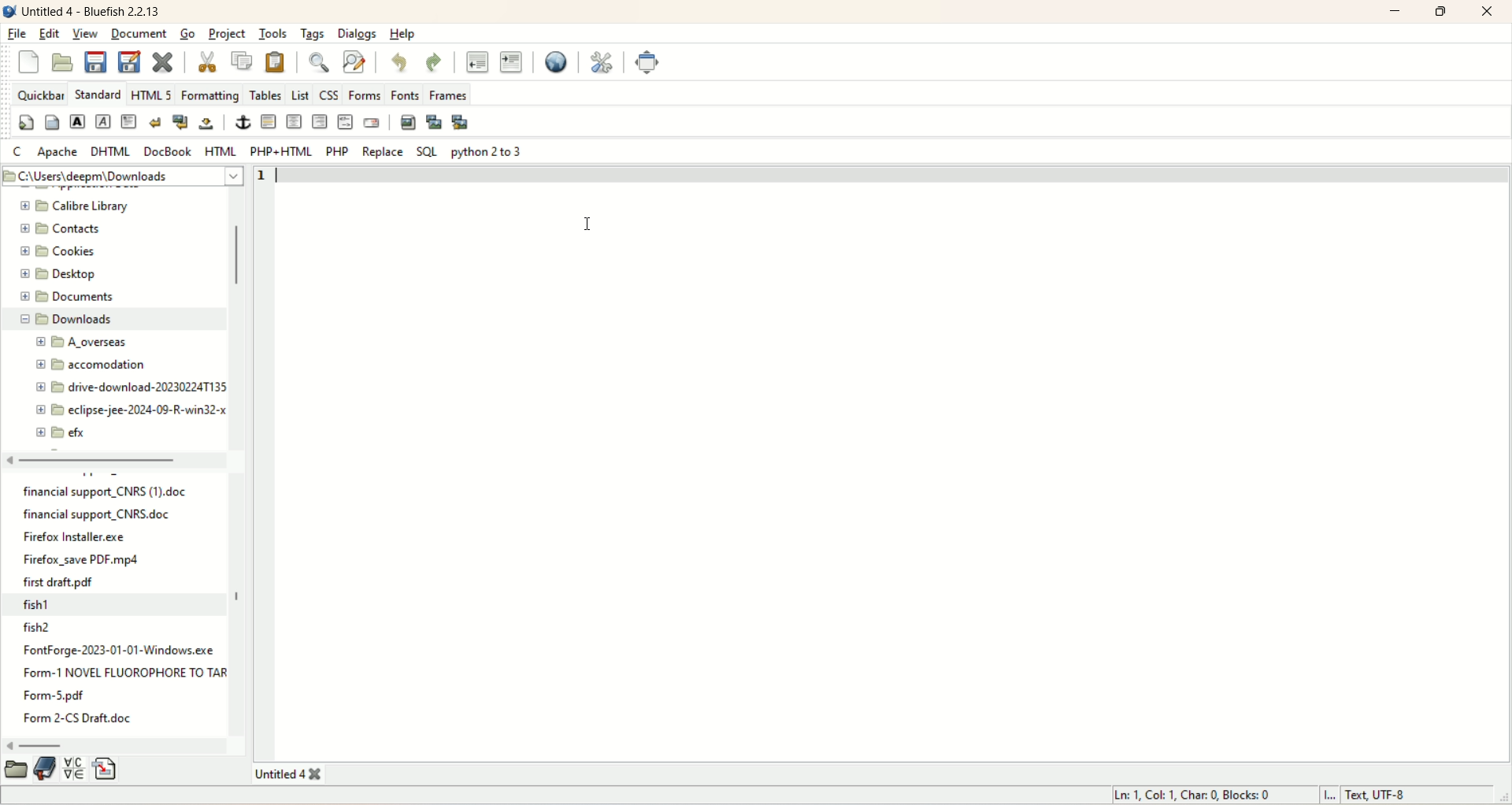  What do you see at coordinates (17, 35) in the screenshot?
I see `file` at bounding box center [17, 35].